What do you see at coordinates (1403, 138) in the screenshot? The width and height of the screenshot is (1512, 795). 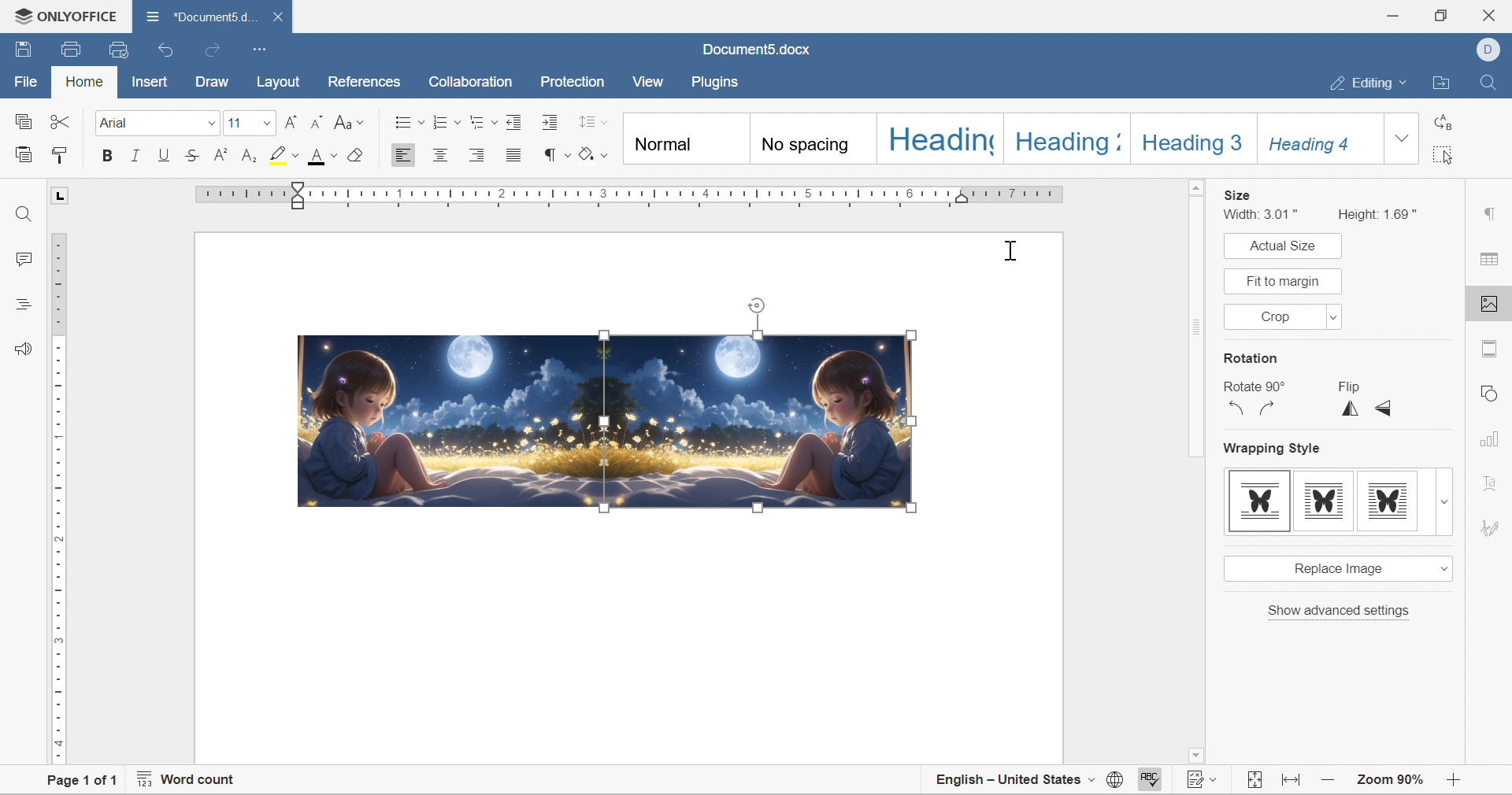 I see `drop down` at bounding box center [1403, 138].